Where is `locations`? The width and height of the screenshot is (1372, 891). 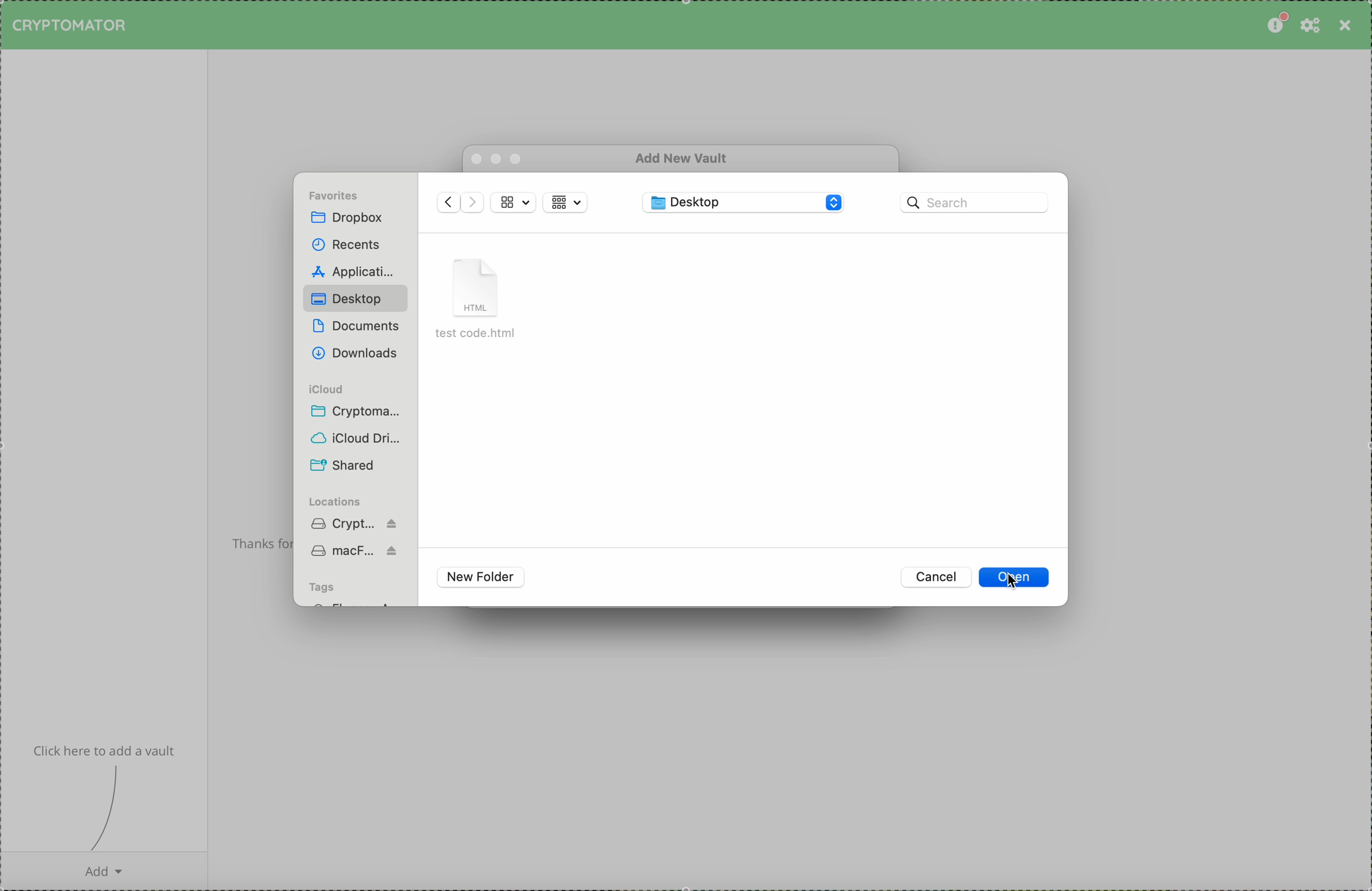
locations is located at coordinates (340, 502).